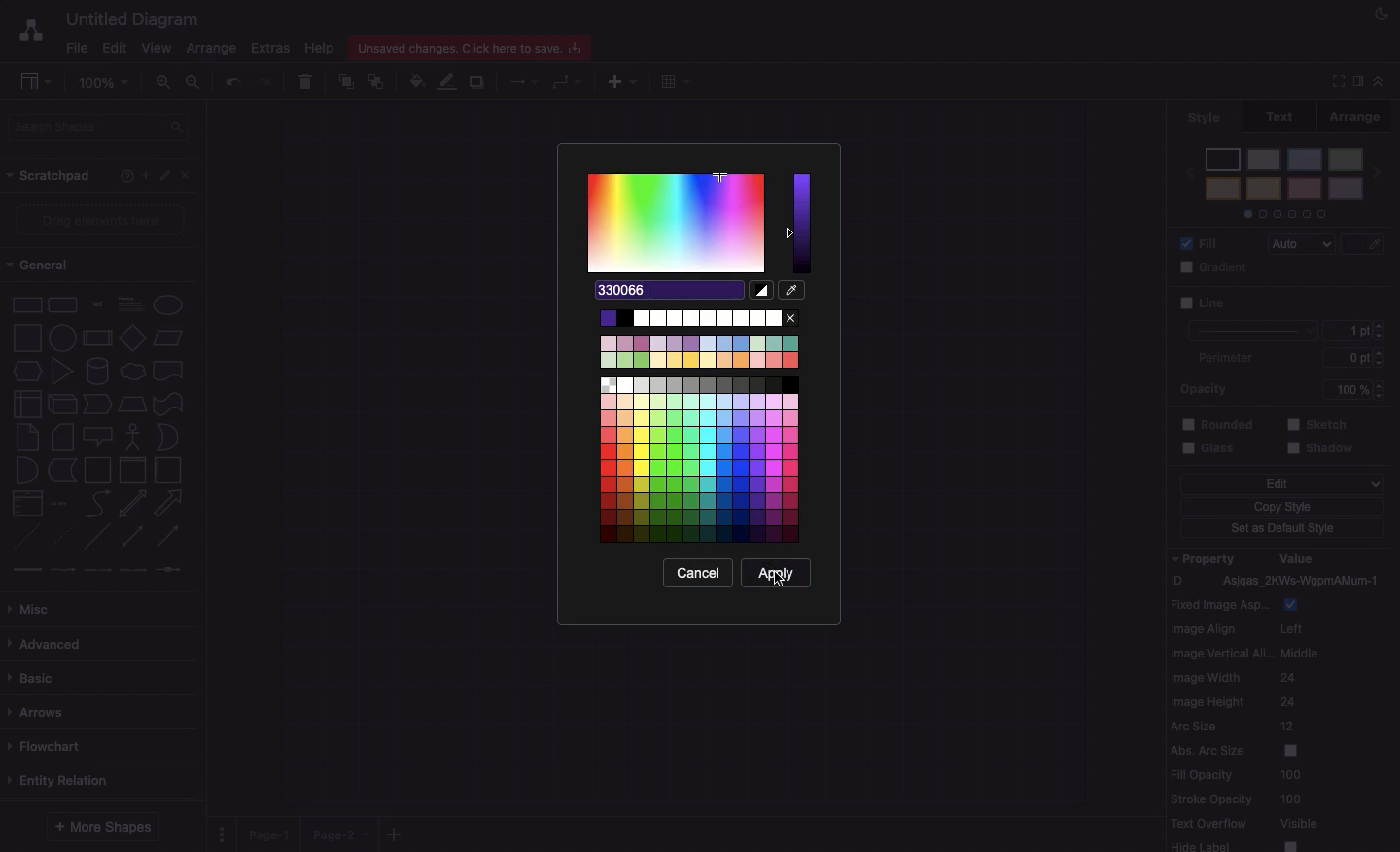 The width and height of the screenshot is (1400, 852). I want to click on Glass, so click(1213, 449).